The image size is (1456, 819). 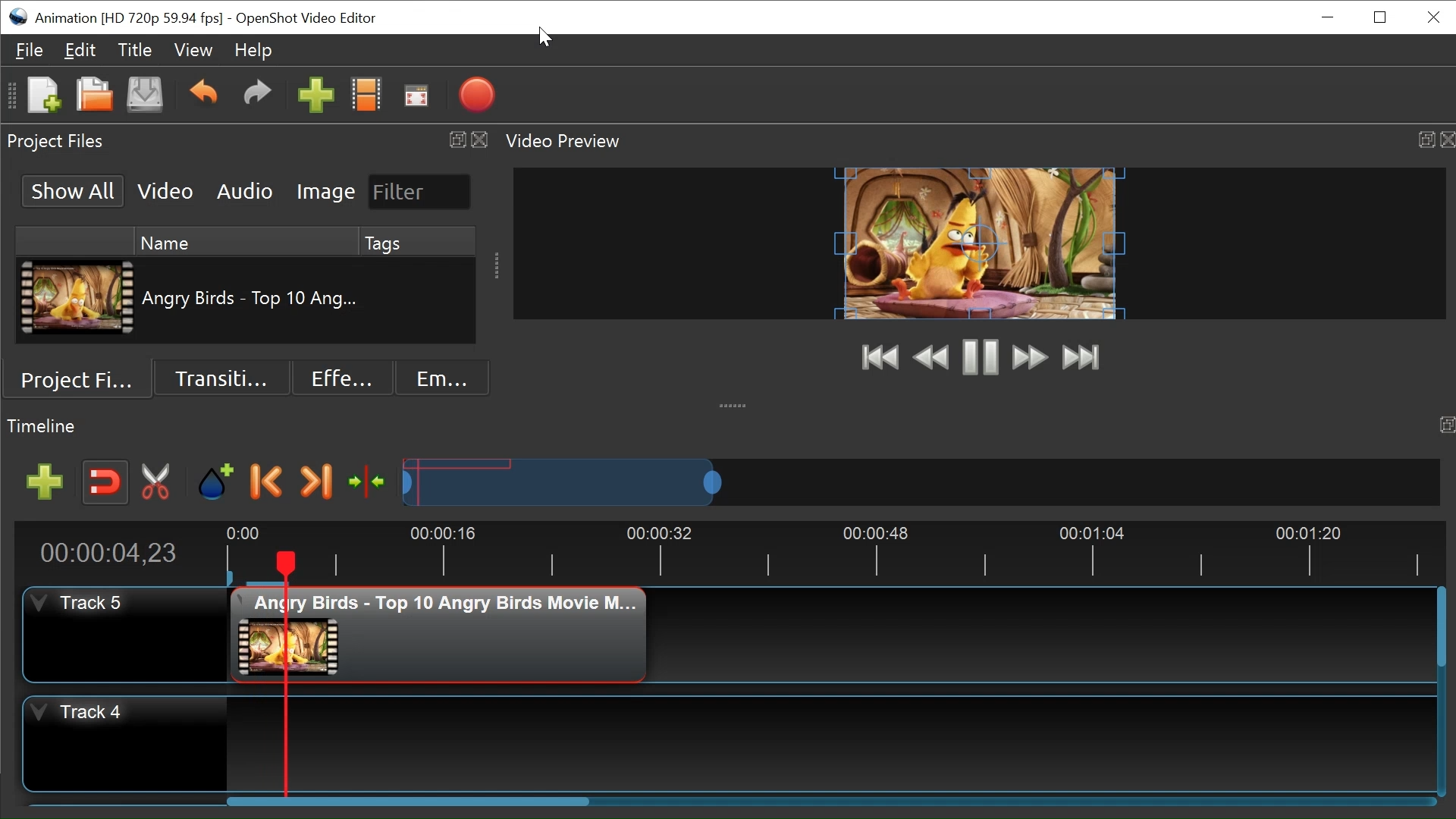 I want to click on Video, so click(x=165, y=190).